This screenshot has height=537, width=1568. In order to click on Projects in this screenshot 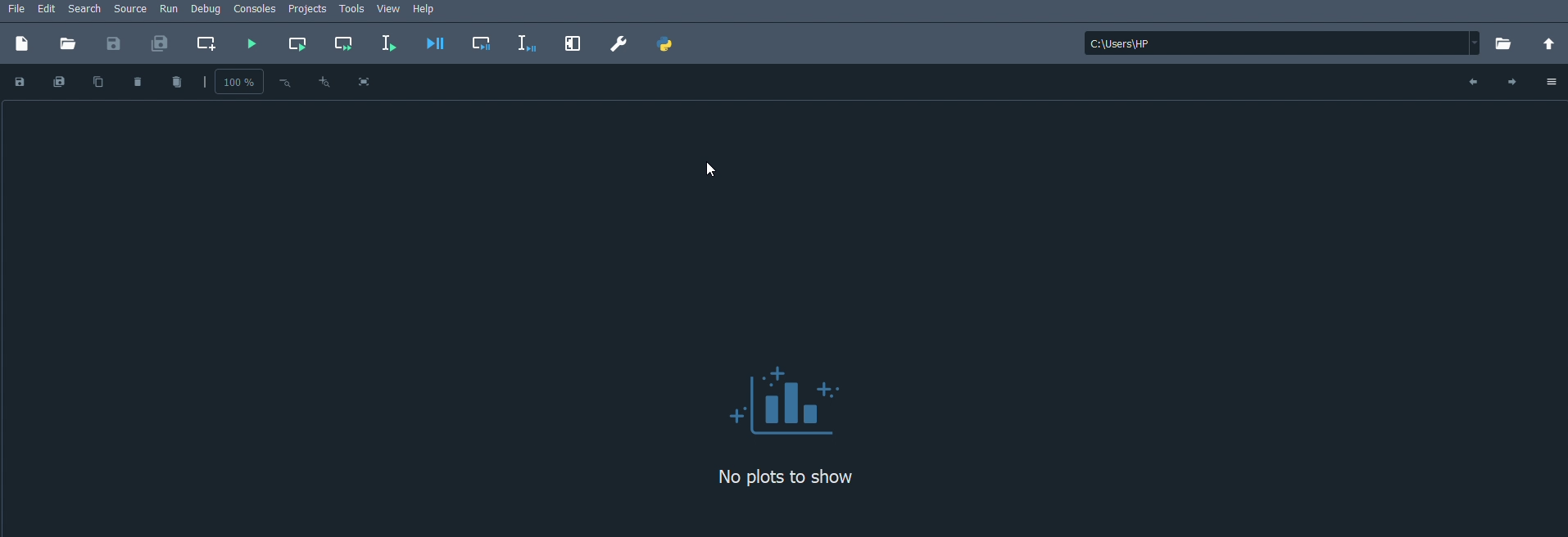, I will do `click(309, 10)`.